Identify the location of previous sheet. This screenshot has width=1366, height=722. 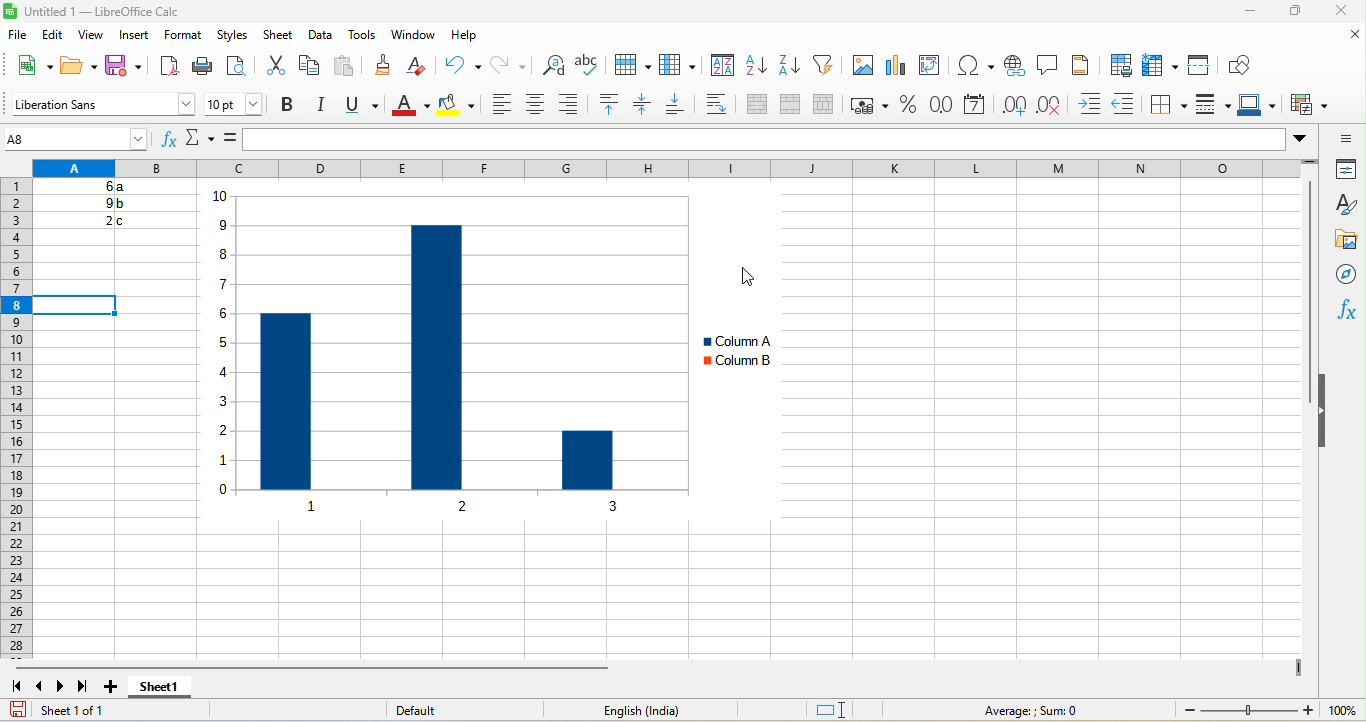
(41, 688).